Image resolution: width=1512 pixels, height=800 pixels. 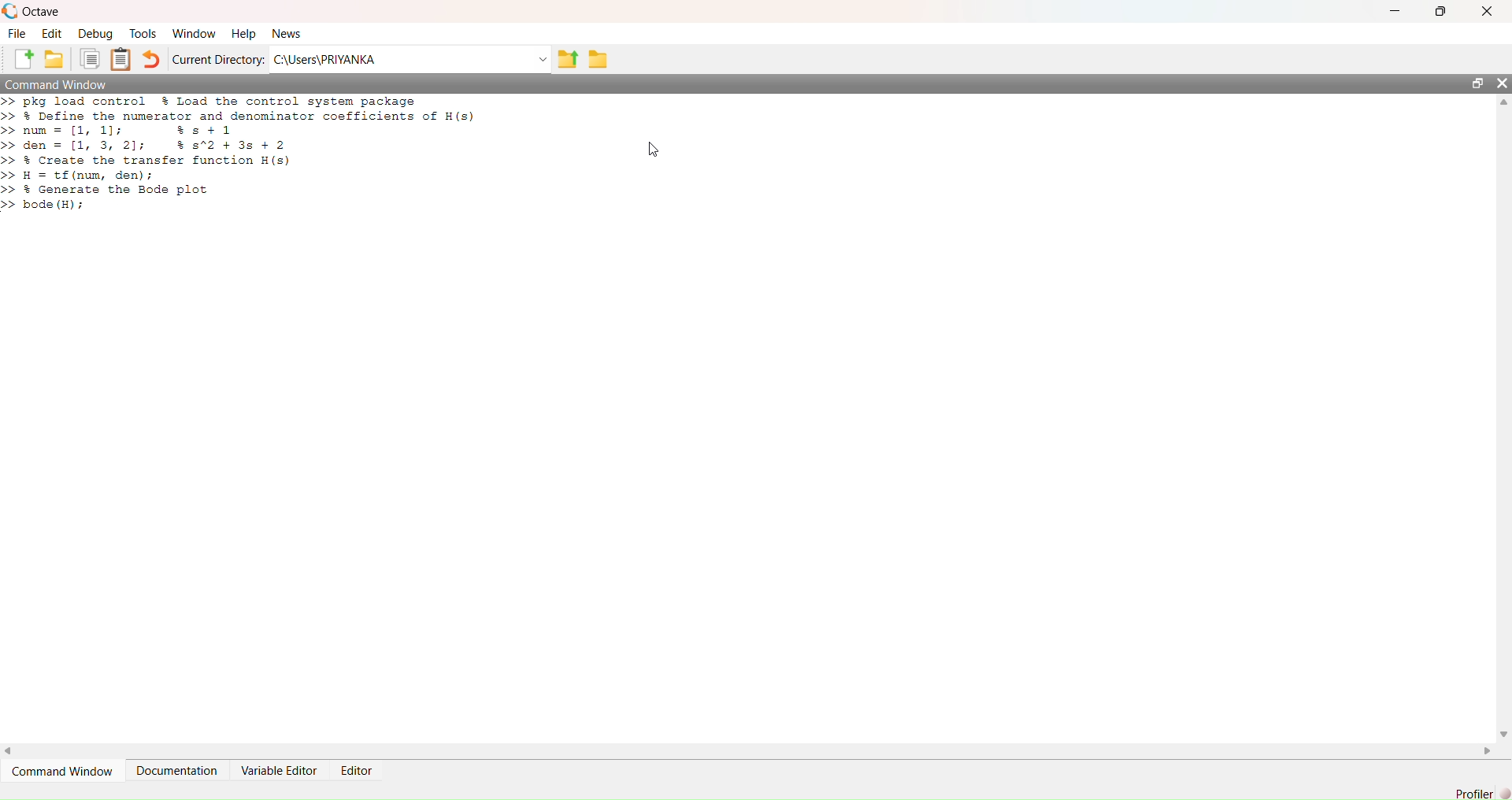 I want to click on Command Window, so click(x=61, y=770).